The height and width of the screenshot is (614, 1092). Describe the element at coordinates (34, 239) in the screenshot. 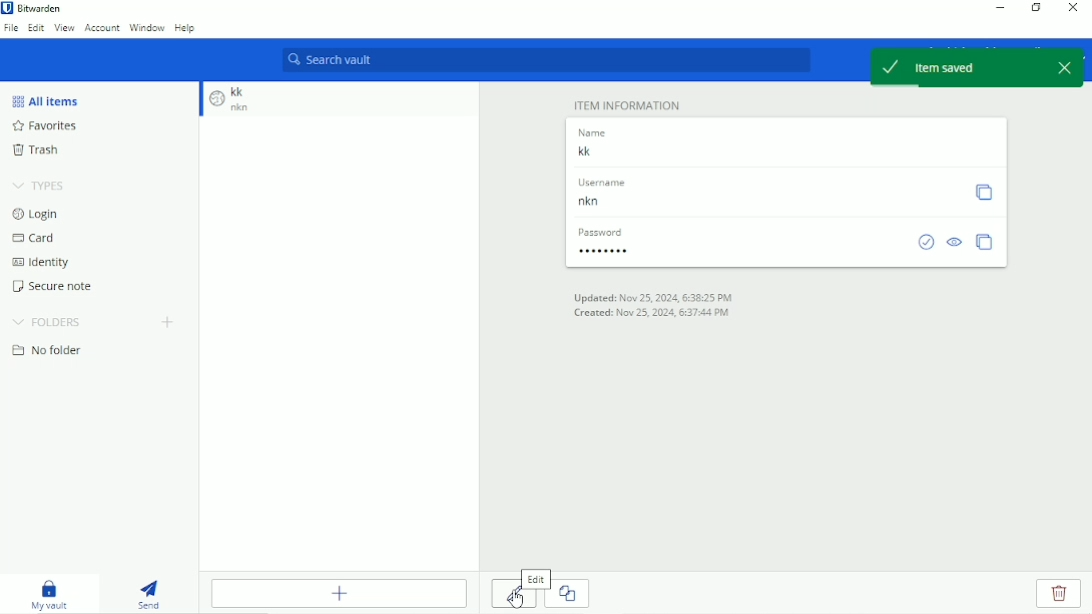

I see `Card` at that location.